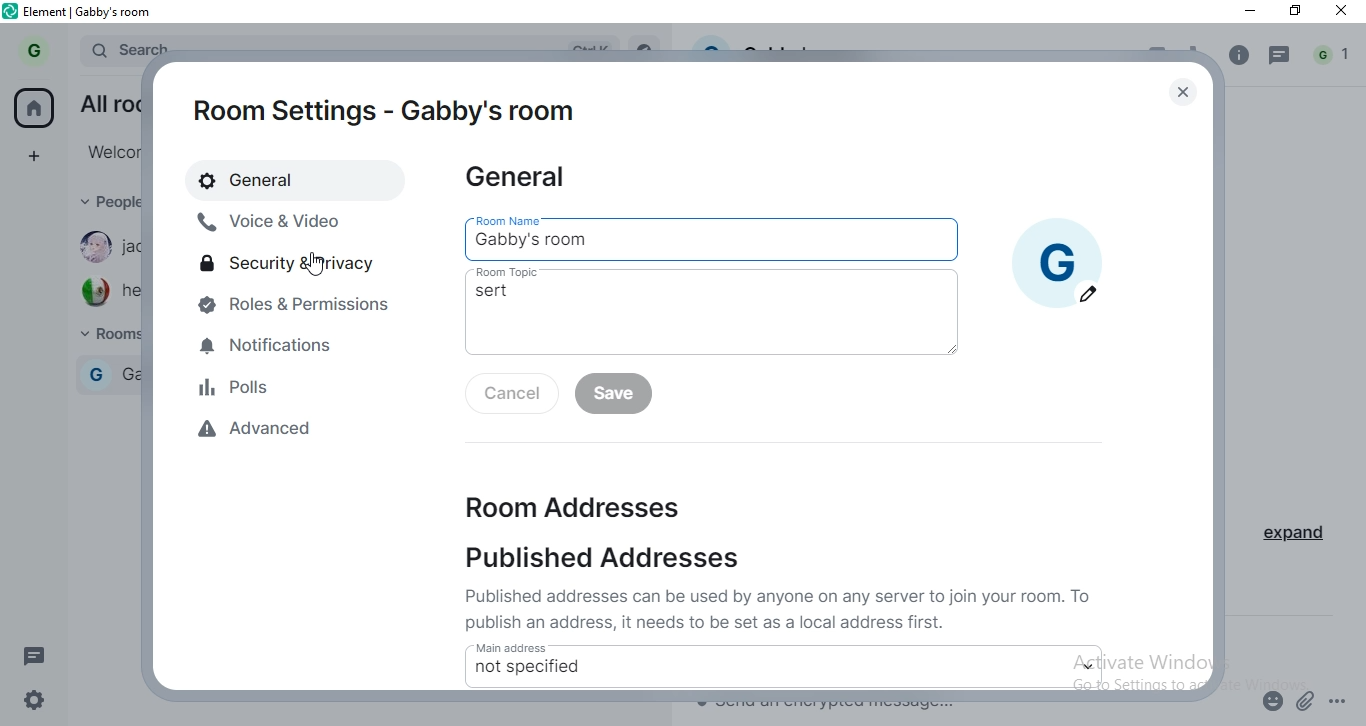  Describe the element at coordinates (510, 271) in the screenshot. I see `room topic` at that location.